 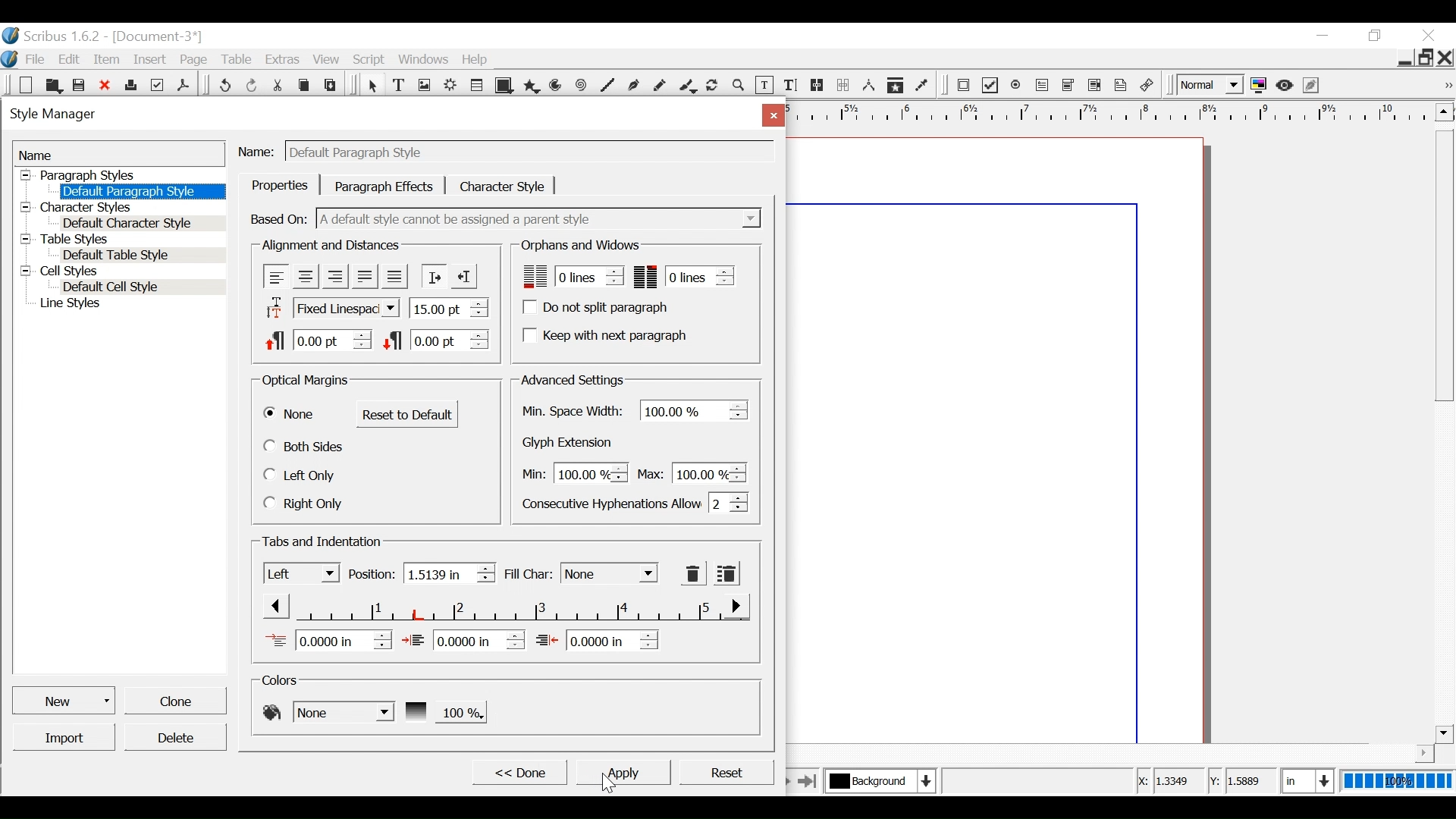 I want to click on Freehand line, so click(x=661, y=87).